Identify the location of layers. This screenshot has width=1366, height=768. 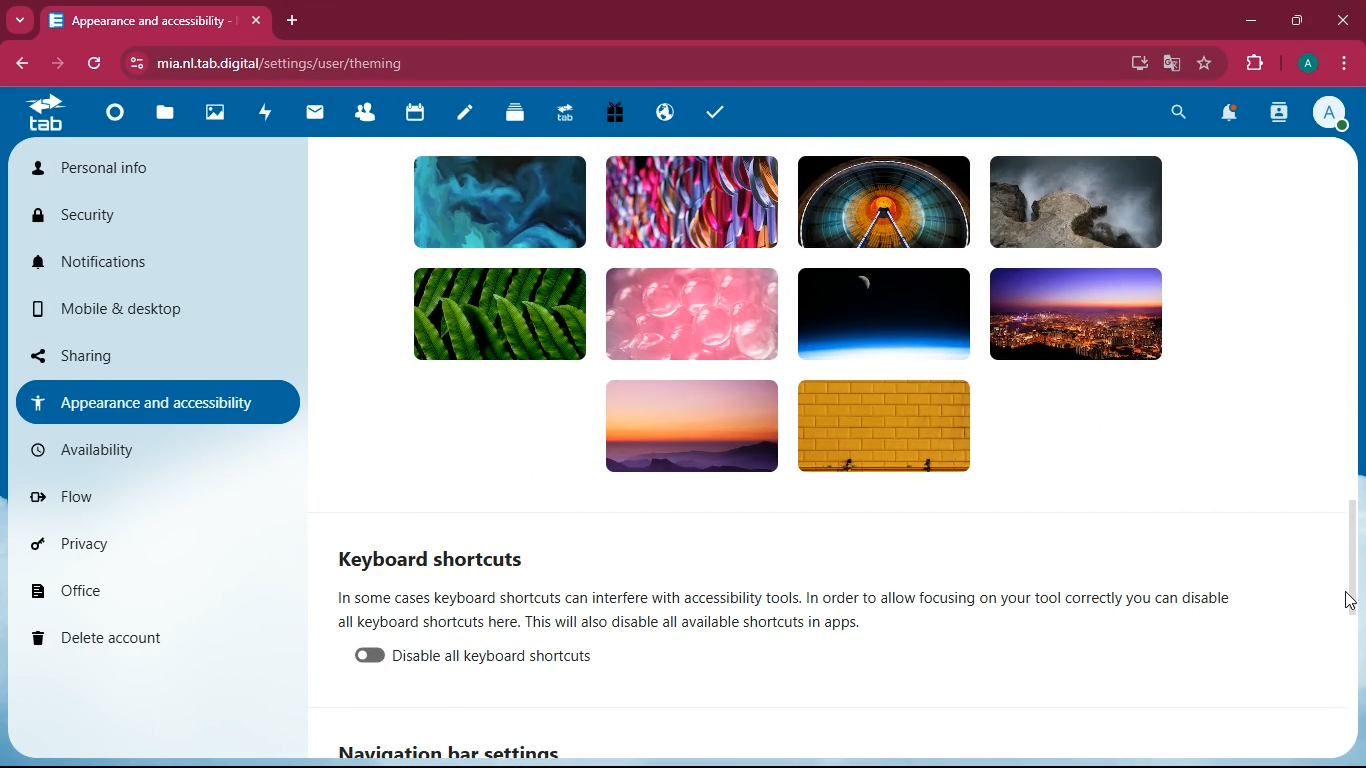
(517, 115).